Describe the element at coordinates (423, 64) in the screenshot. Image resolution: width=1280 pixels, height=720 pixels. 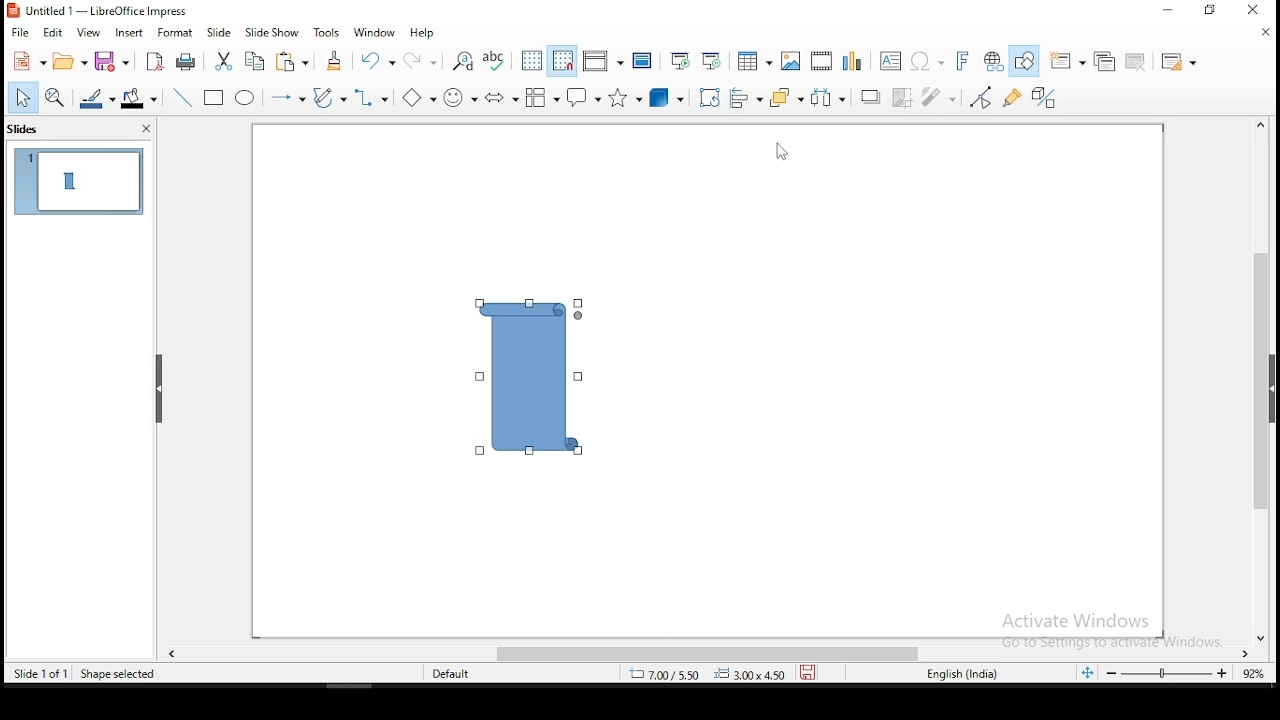
I see `redo` at that location.